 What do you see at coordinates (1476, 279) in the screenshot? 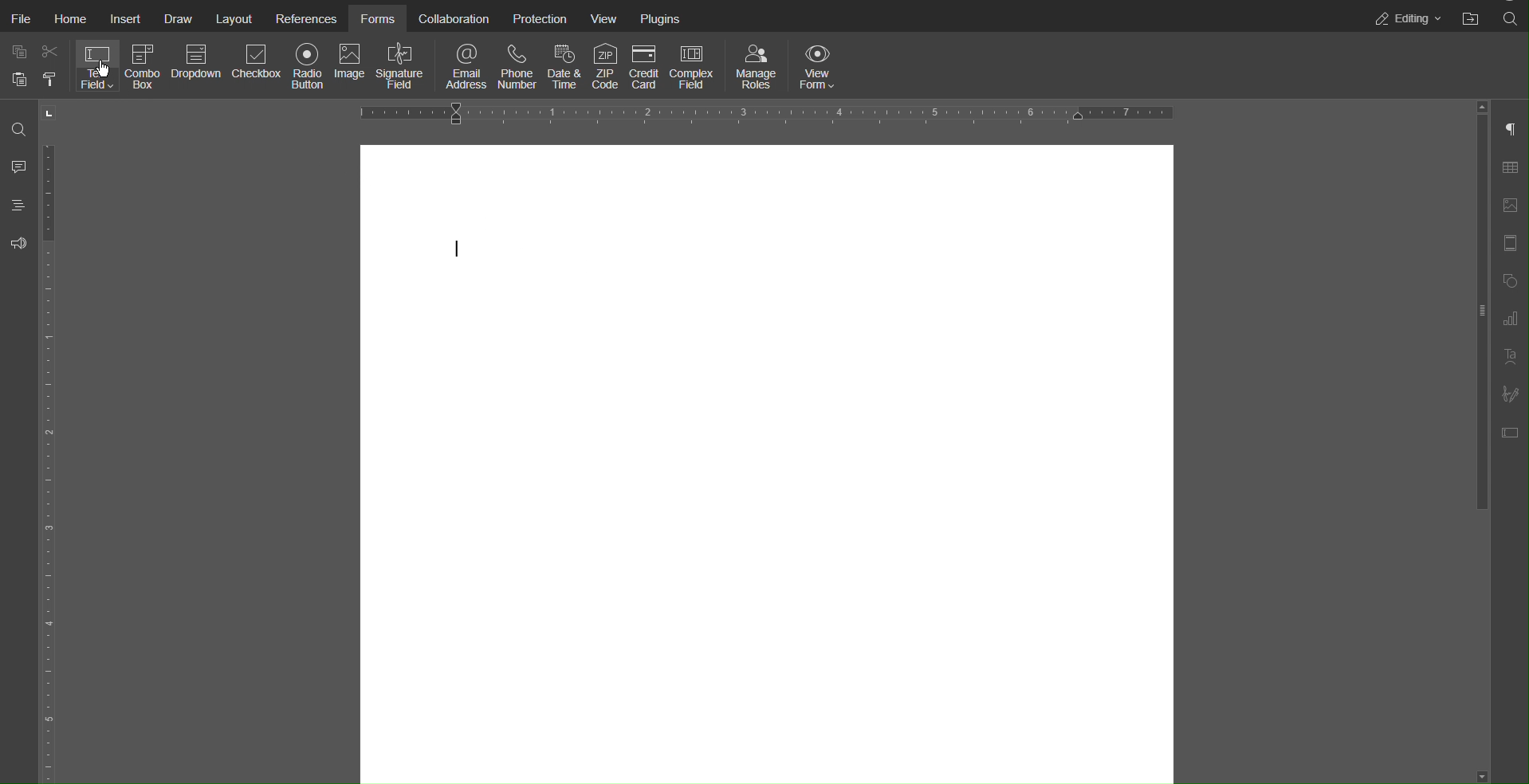
I see `slider` at bounding box center [1476, 279].